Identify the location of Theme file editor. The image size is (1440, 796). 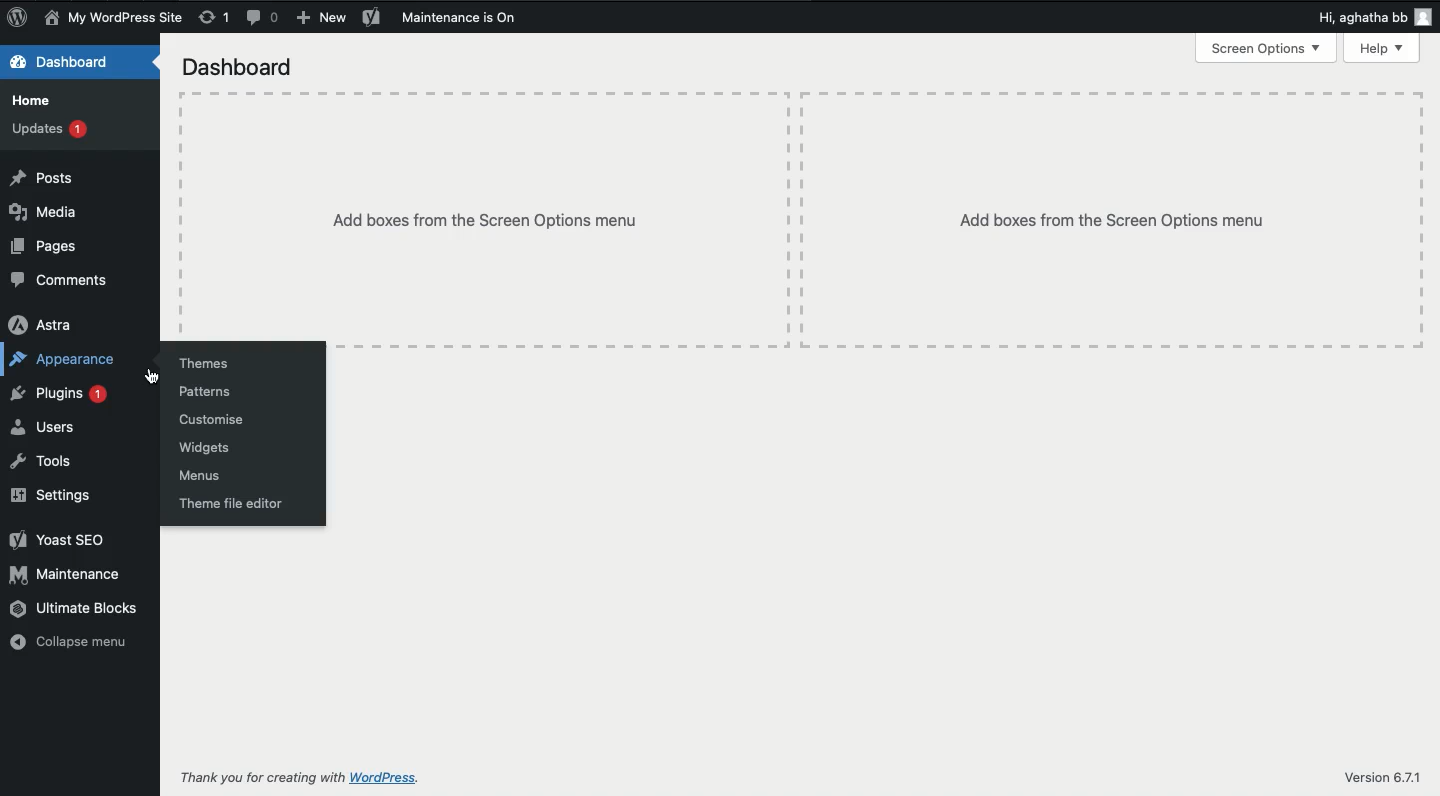
(231, 503).